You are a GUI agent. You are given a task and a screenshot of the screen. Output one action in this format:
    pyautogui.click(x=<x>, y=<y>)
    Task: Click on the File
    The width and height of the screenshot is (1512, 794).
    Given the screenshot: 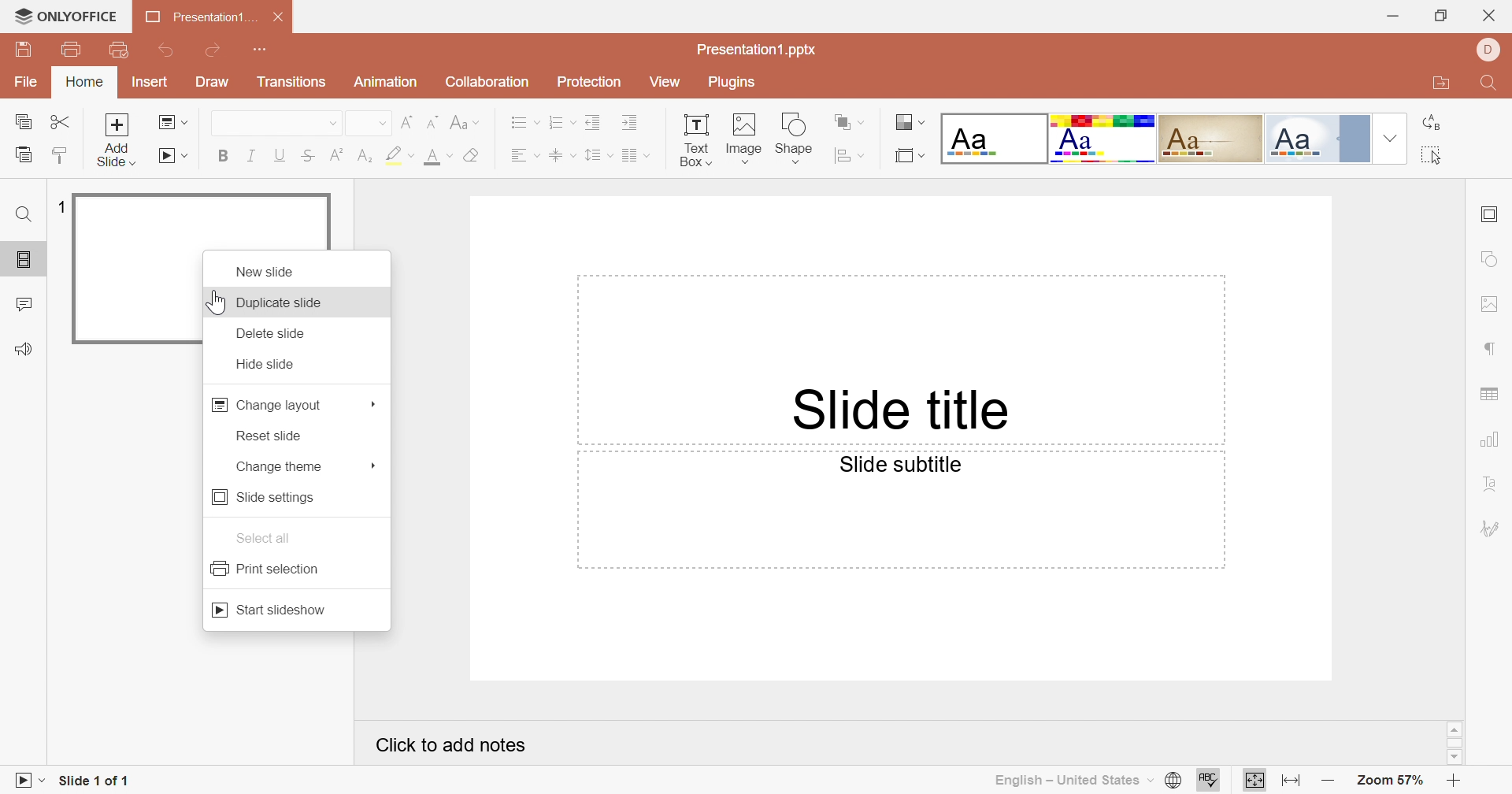 What is the action you would take?
    pyautogui.click(x=23, y=83)
    